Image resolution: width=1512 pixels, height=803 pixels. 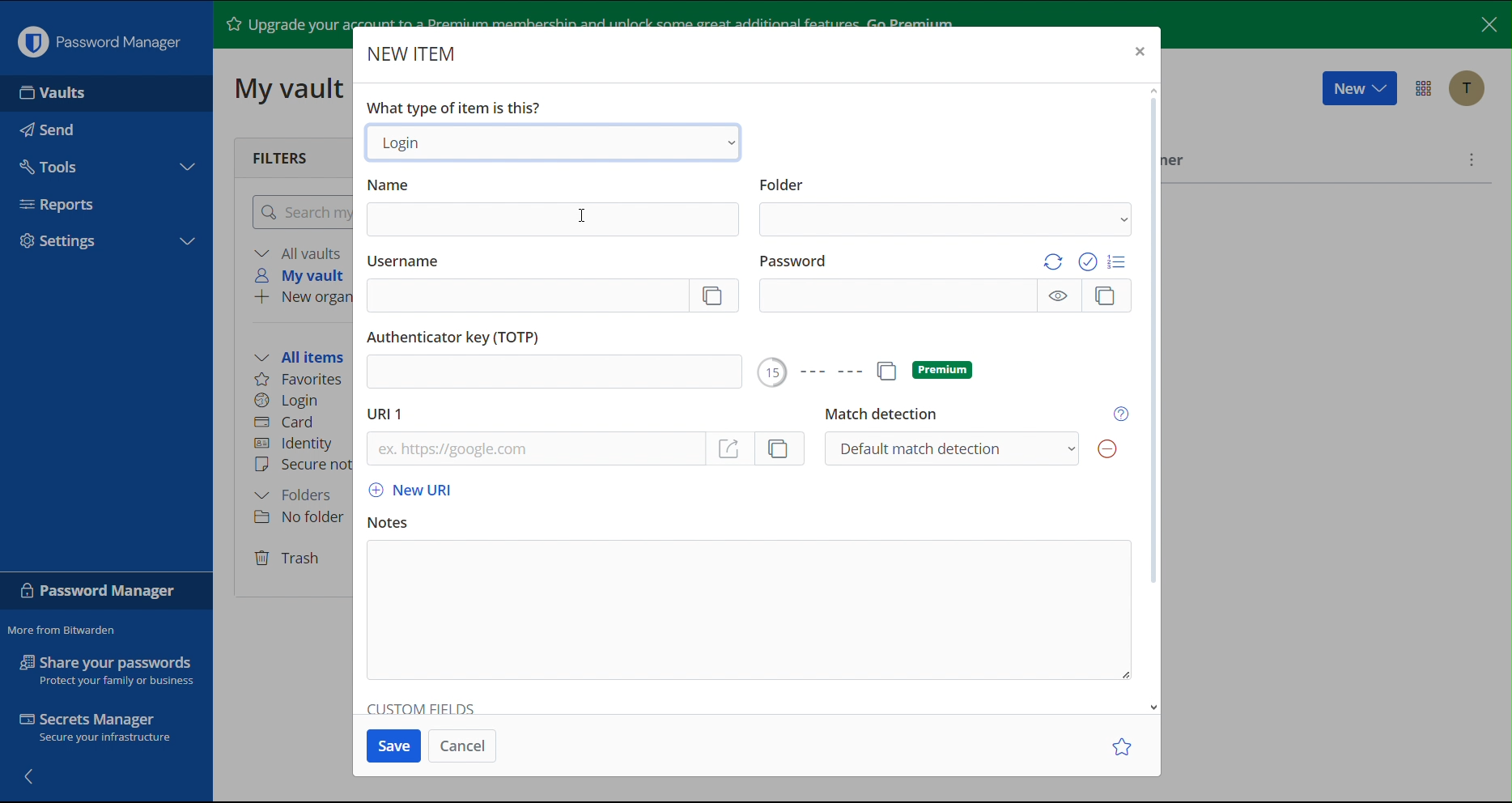 I want to click on Match detection, so click(x=979, y=435).